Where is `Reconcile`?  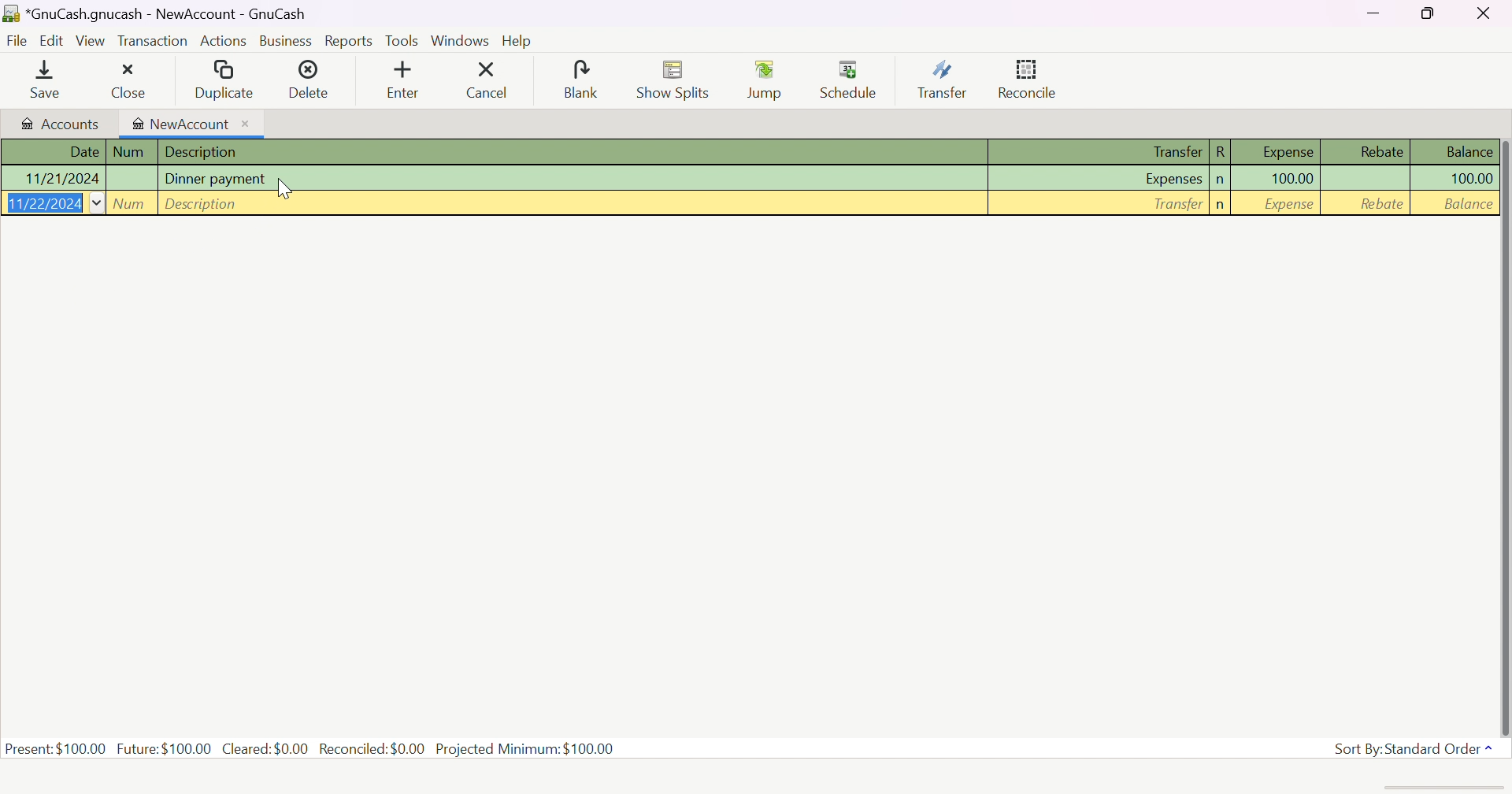
Reconcile is located at coordinates (1029, 76).